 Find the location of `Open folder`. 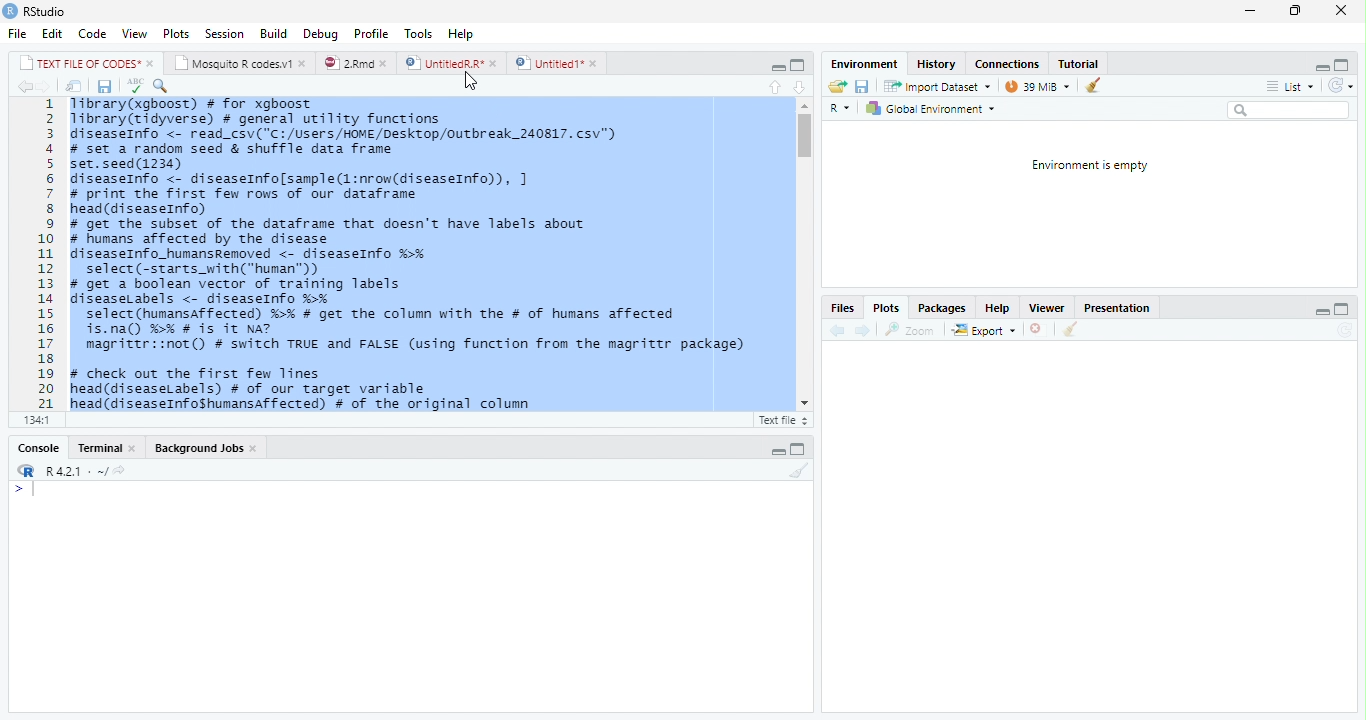

Open folder is located at coordinates (837, 85).